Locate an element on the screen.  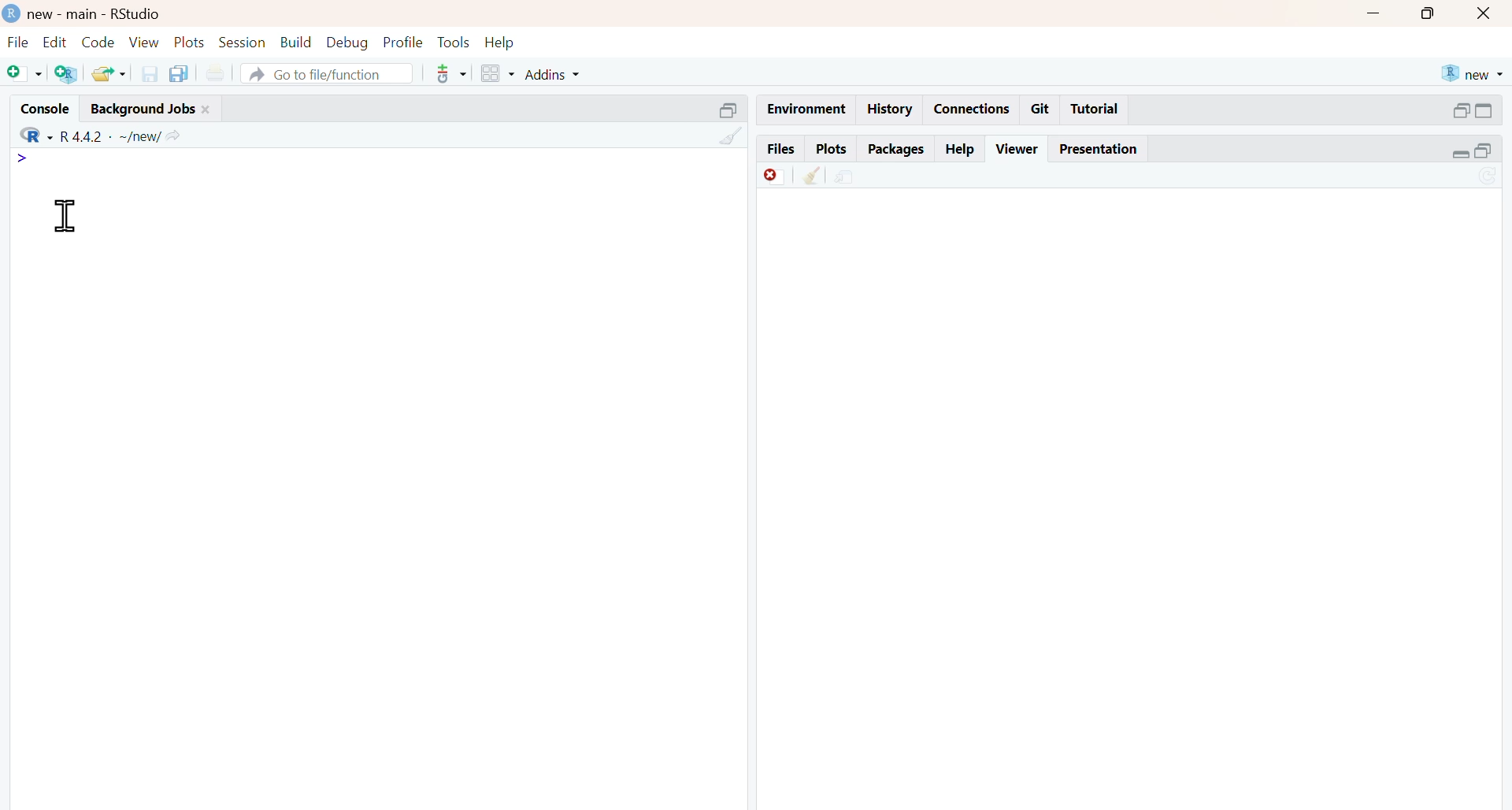
session is located at coordinates (241, 43).